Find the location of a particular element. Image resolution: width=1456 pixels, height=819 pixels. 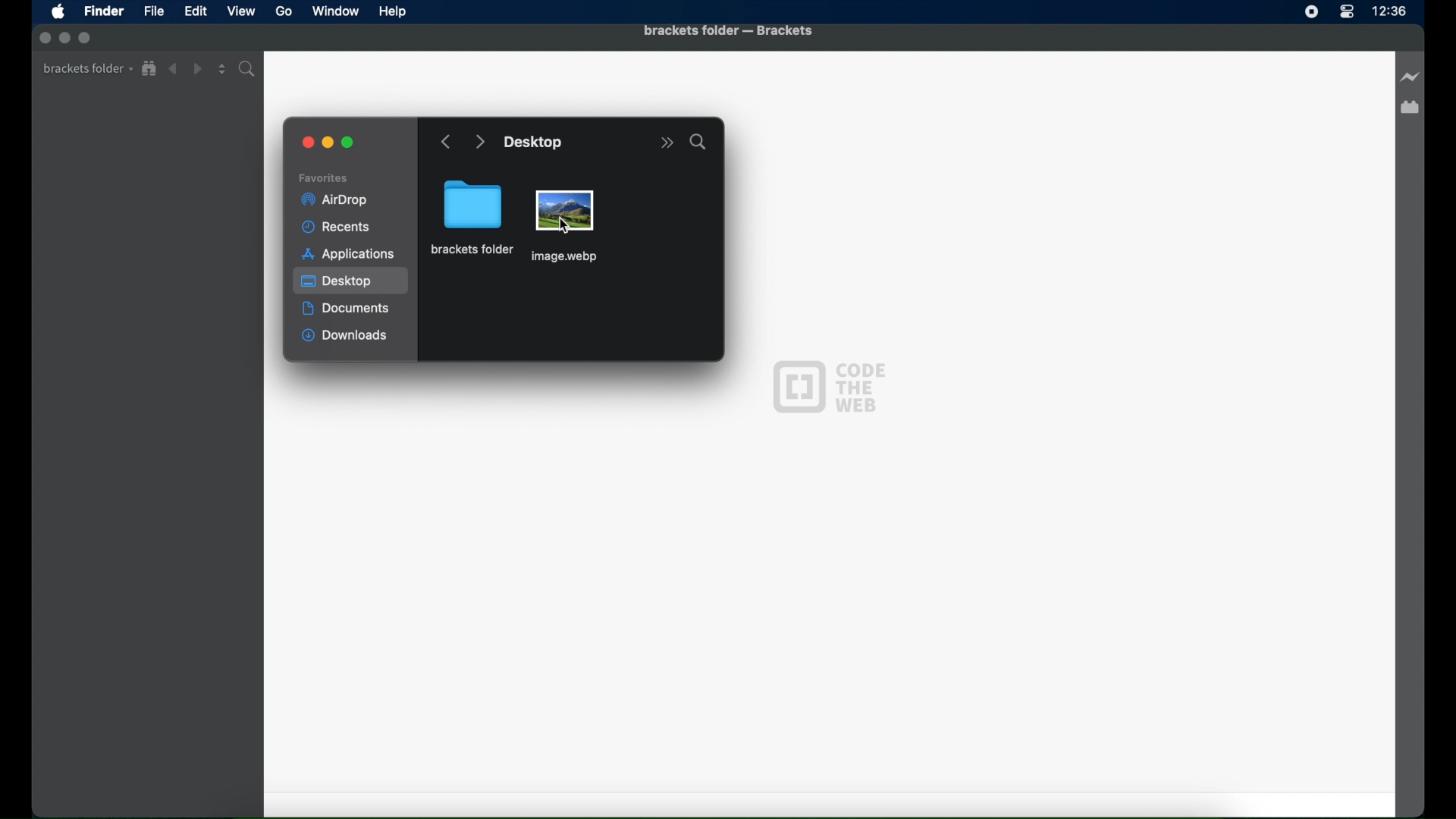

cursor is located at coordinates (563, 225).